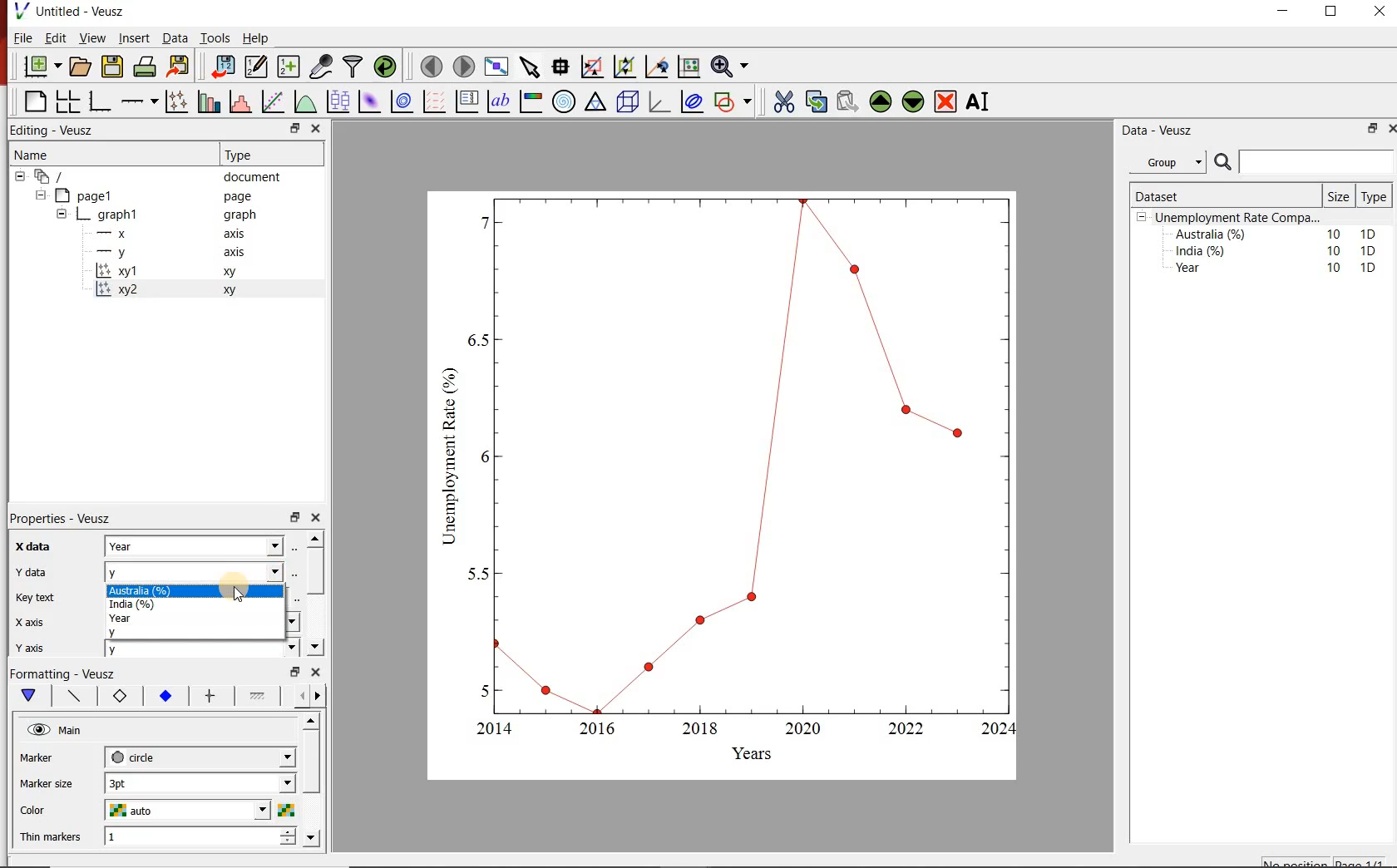 The height and width of the screenshot is (868, 1397). What do you see at coordinates (145, 65) in the screenshot?
I see `print document` at bounding box center [145, 65].